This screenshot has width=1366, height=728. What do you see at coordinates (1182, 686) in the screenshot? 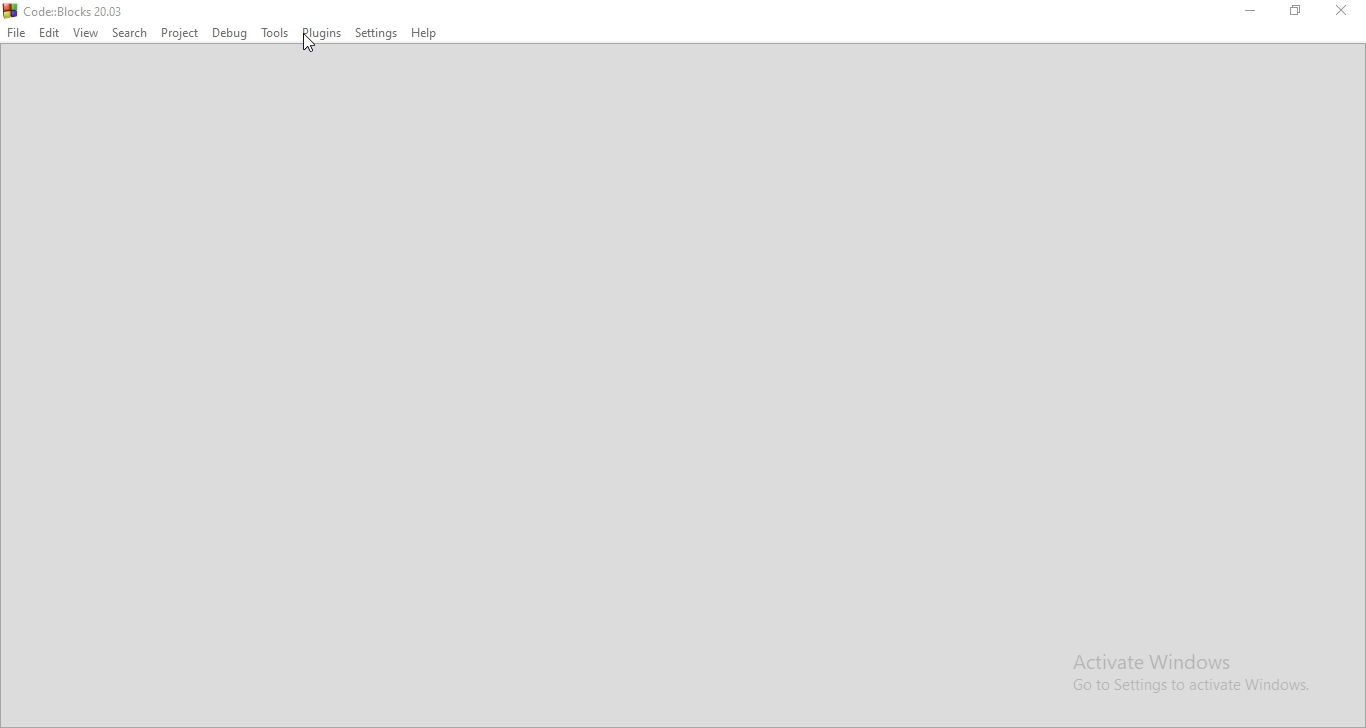
I see `Go to Settings to activate Windows` at bounding box center [1182, 686].